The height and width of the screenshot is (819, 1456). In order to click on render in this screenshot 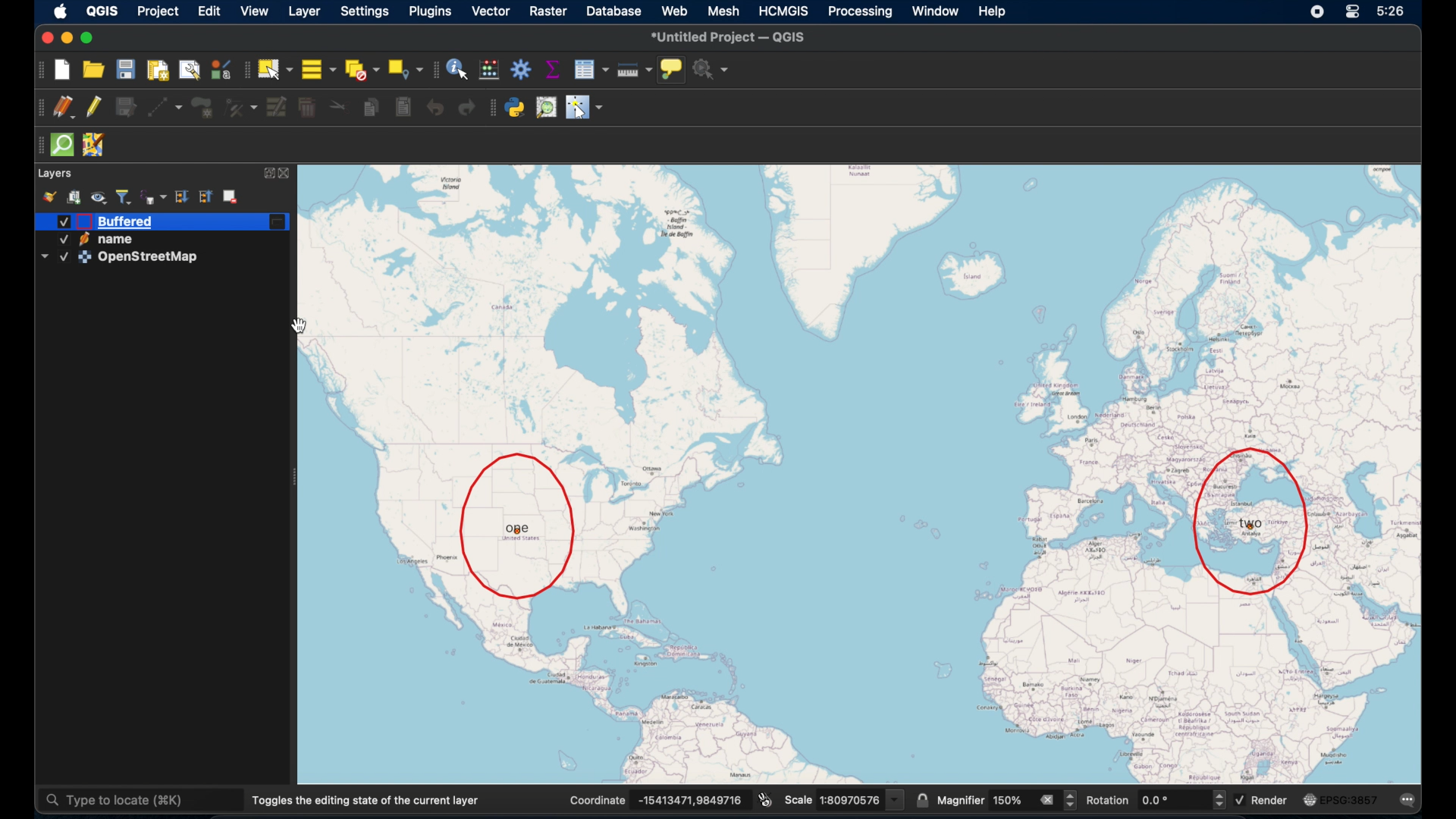, I will do `click(1270, 799)`.